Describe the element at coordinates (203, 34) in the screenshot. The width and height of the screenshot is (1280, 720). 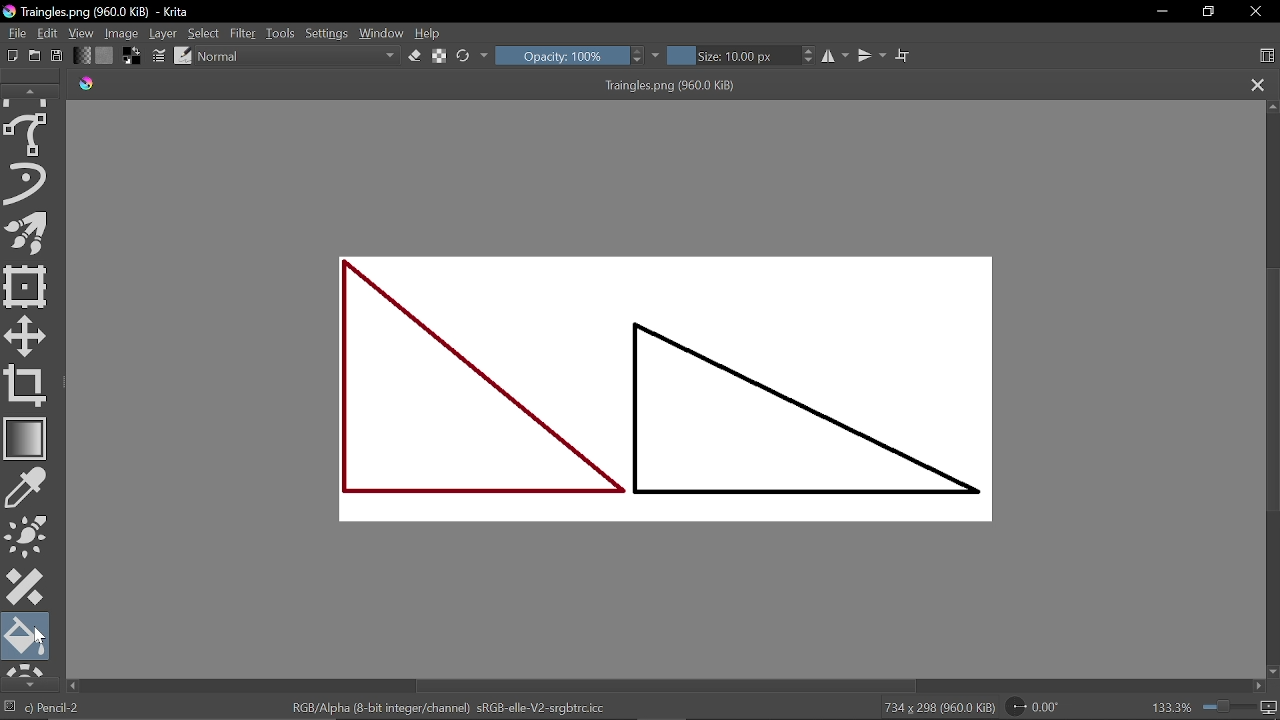
I see `Select` at that location.